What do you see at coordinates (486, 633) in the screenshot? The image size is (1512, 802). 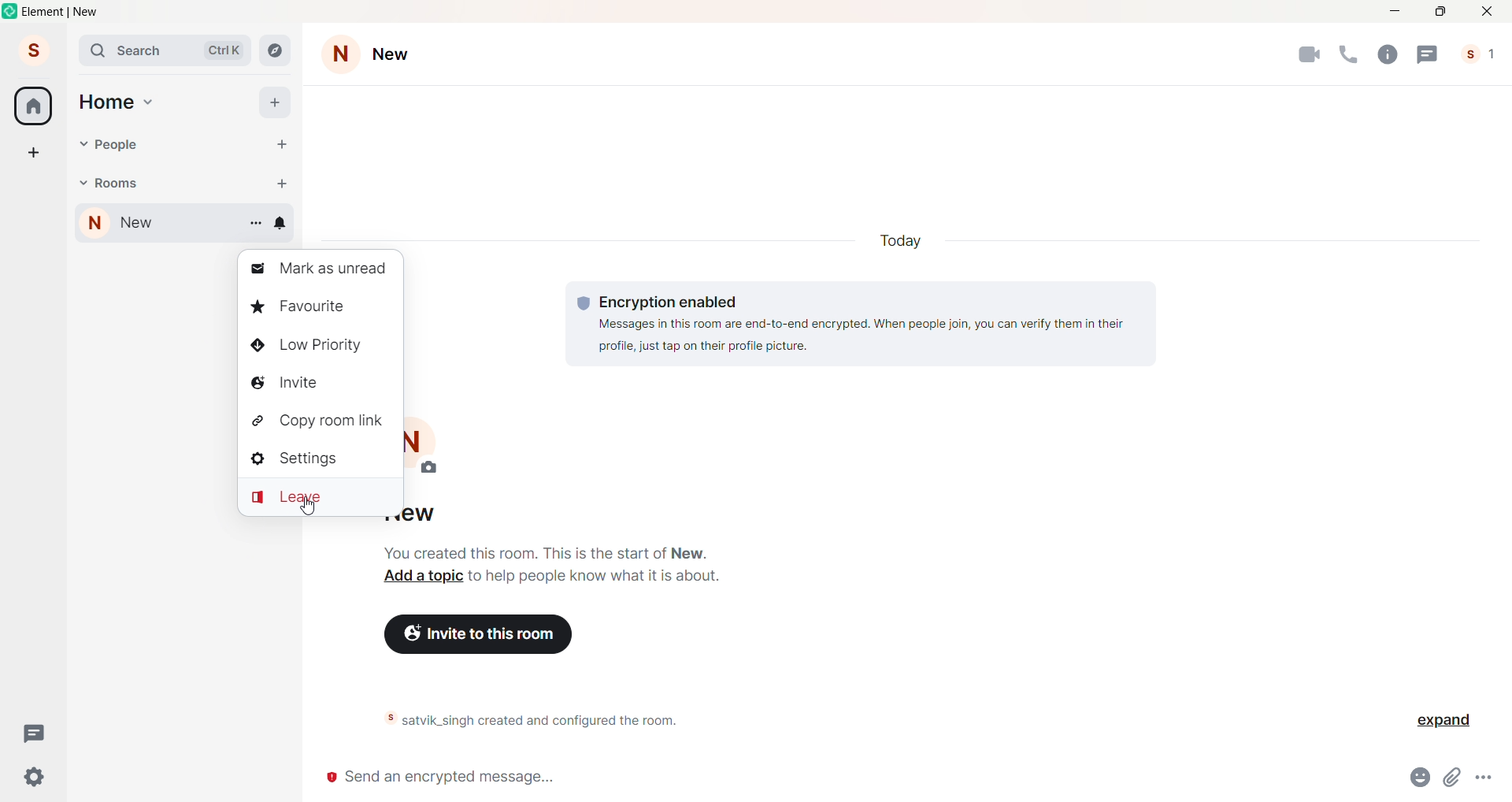 I see `Invite to this Room` at bounding box center [486, 633].